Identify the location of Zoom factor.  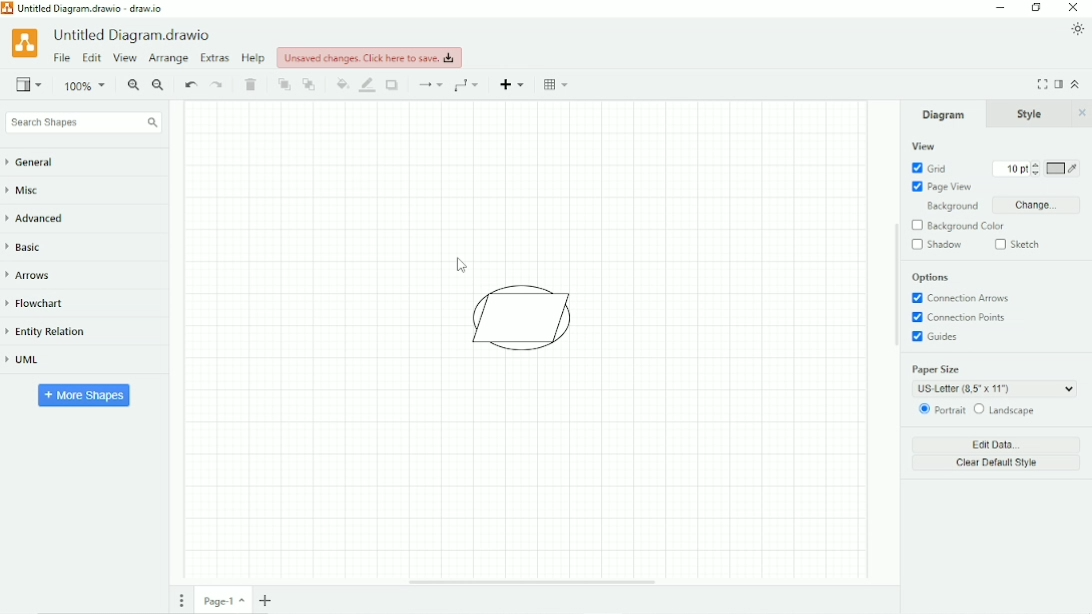
(86, 86).